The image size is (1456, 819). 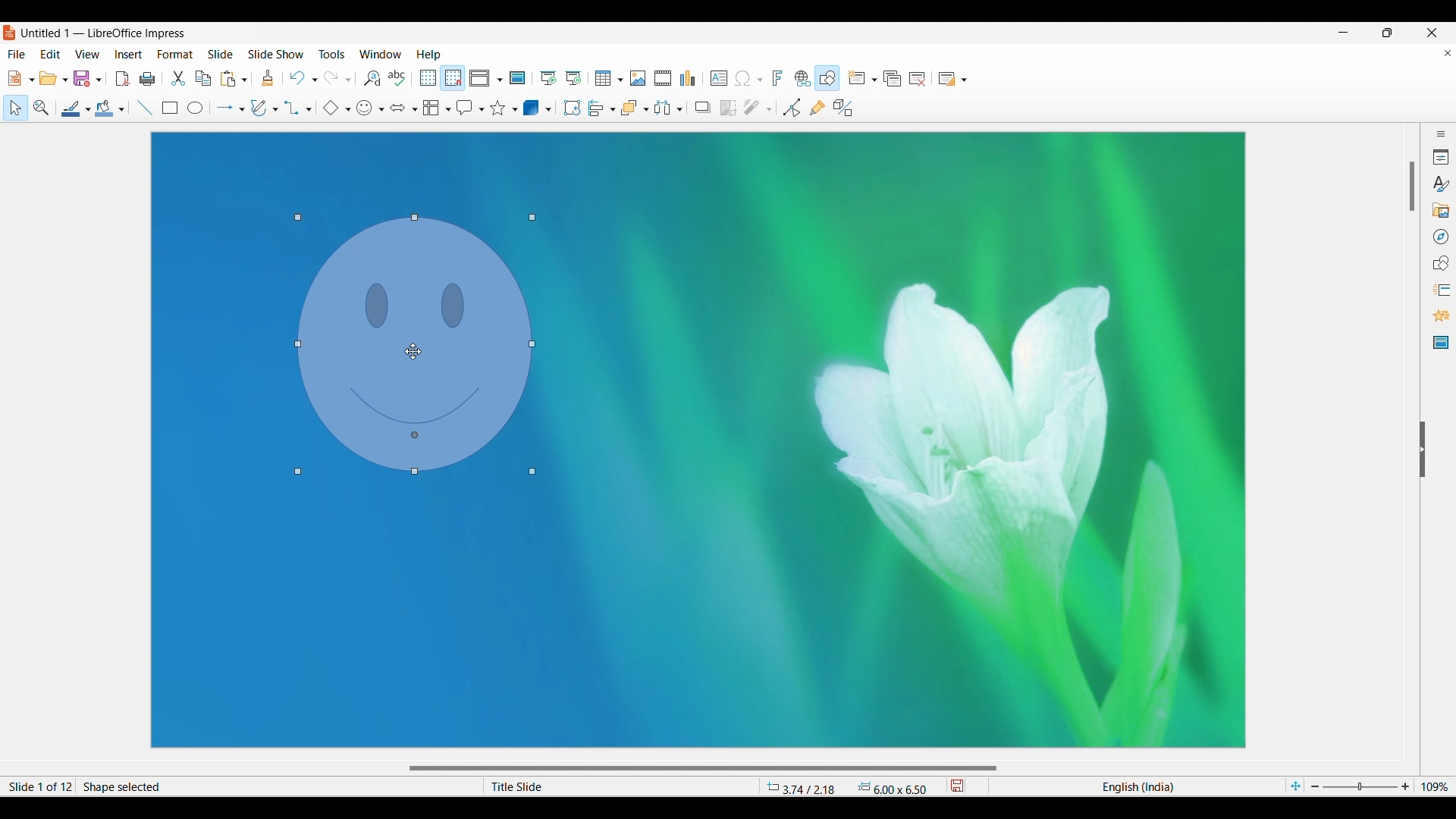 I want to click on Select objects to distribute options, so click(x=679, y=109).